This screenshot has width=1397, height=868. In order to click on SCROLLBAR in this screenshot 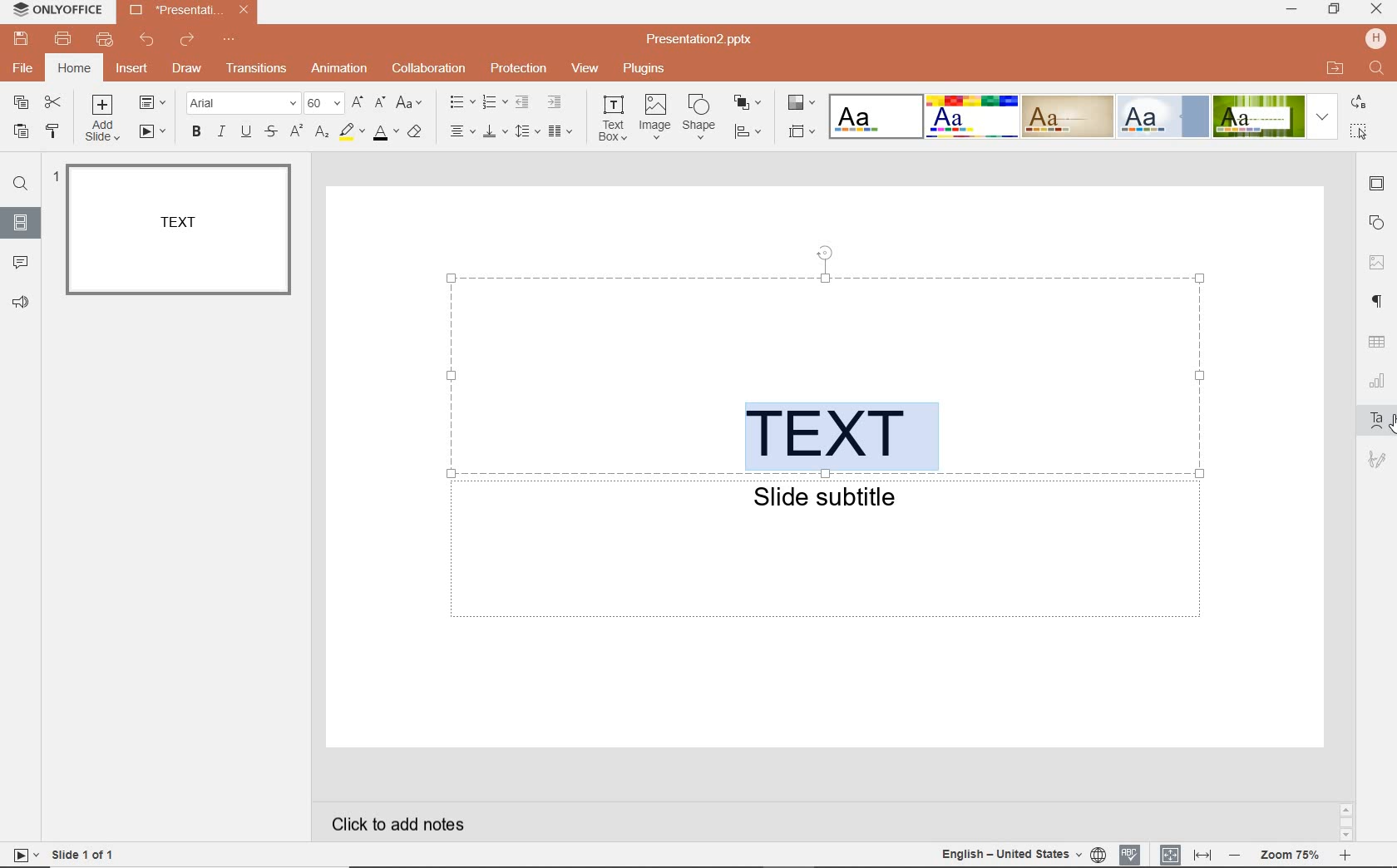, I will do `click(1345, 821)`.